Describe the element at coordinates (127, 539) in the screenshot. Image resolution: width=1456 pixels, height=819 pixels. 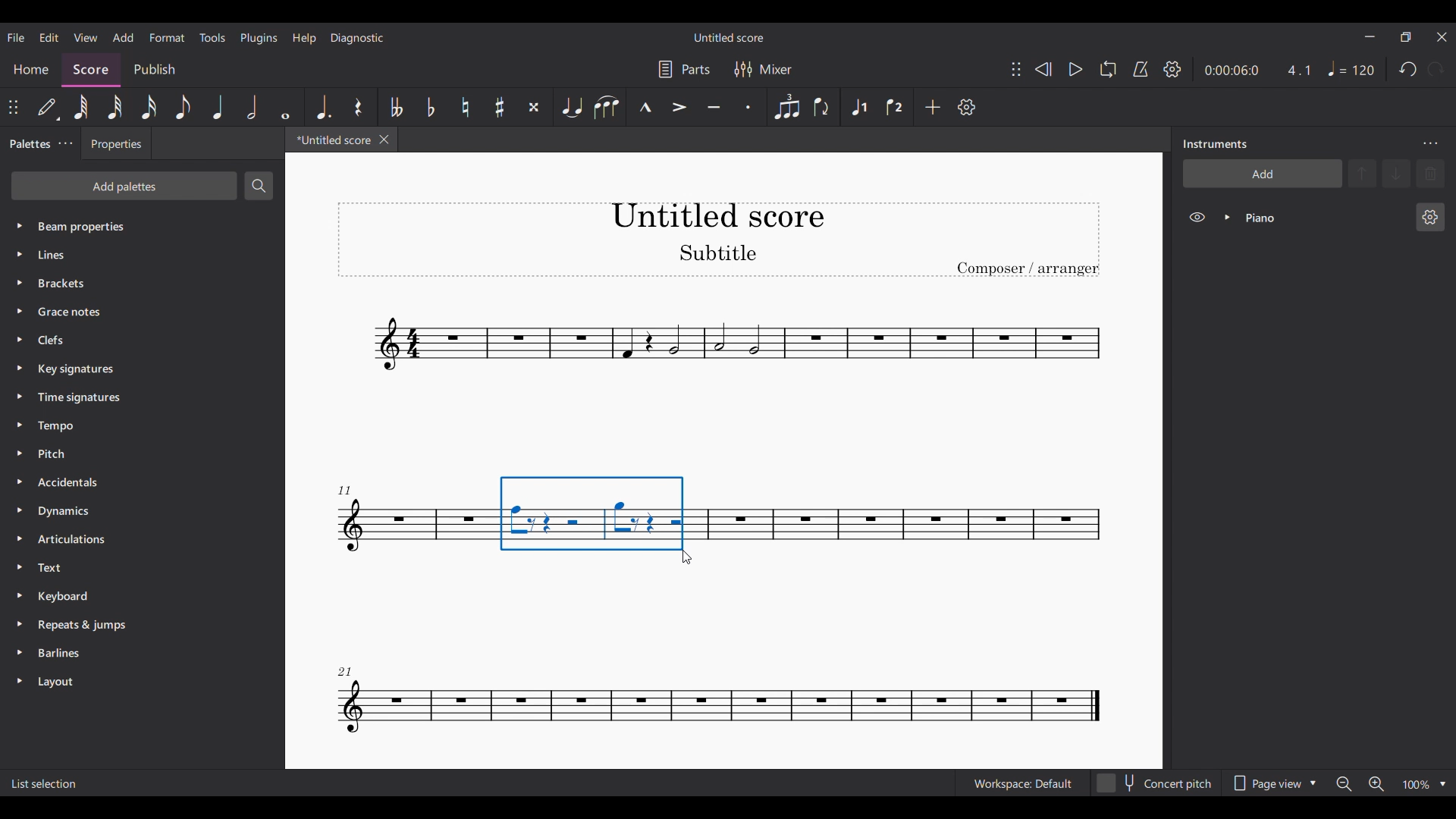
I see `Articulations` at that location.